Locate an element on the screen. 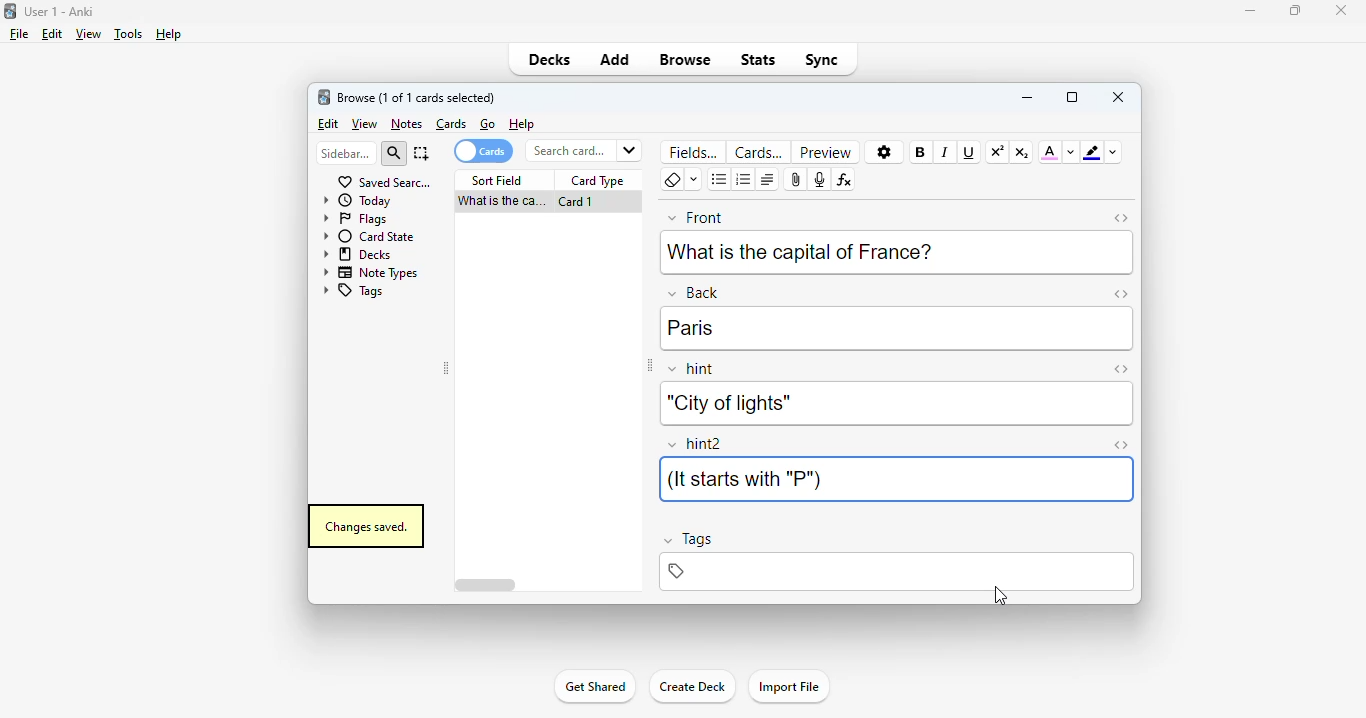 This screenshot has width=1366, height=718. decks is located at coordinates (550, 59).